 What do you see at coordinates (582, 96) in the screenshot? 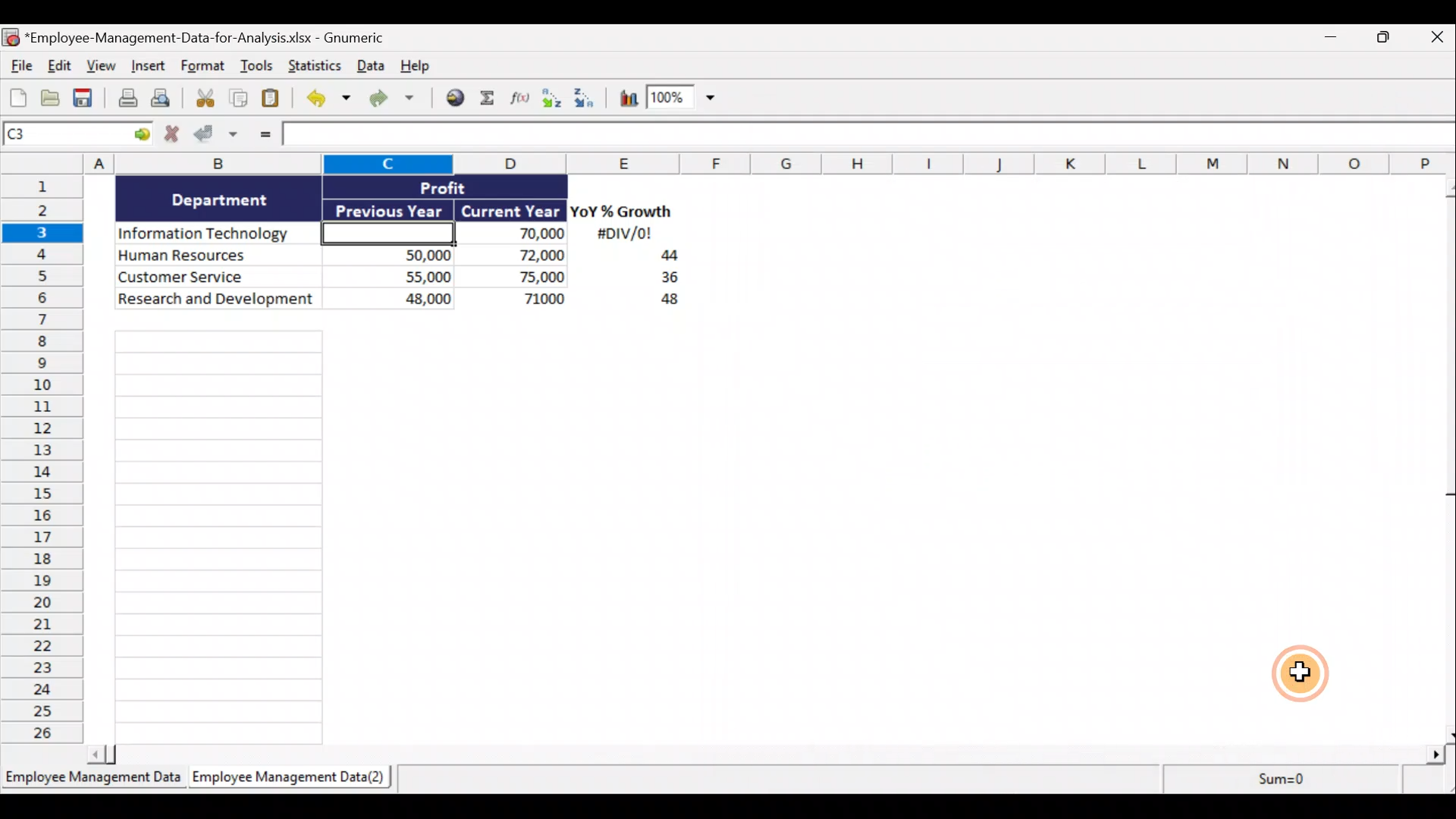
I see `Sort descending` at bounding box center [582, 96].